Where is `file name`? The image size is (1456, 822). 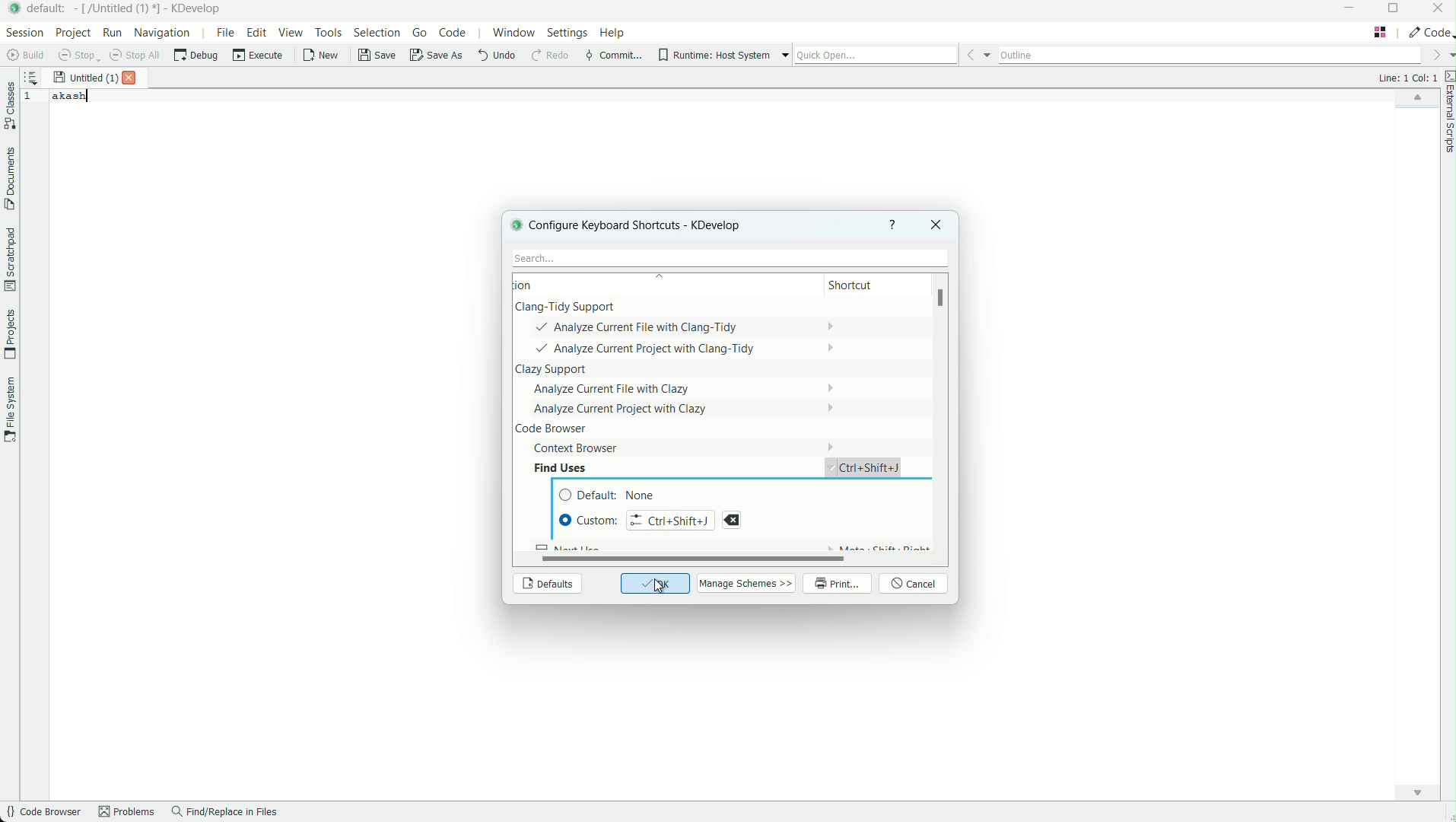
file name is located at coordinates (85, 78).